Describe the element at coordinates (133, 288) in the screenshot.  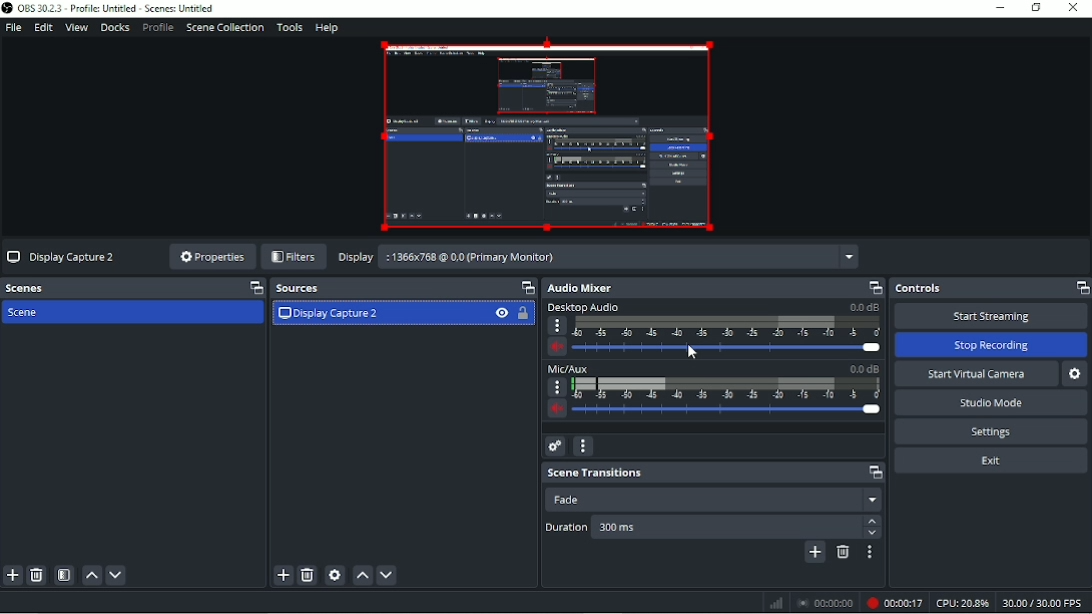
I see `Scenes` at that location.